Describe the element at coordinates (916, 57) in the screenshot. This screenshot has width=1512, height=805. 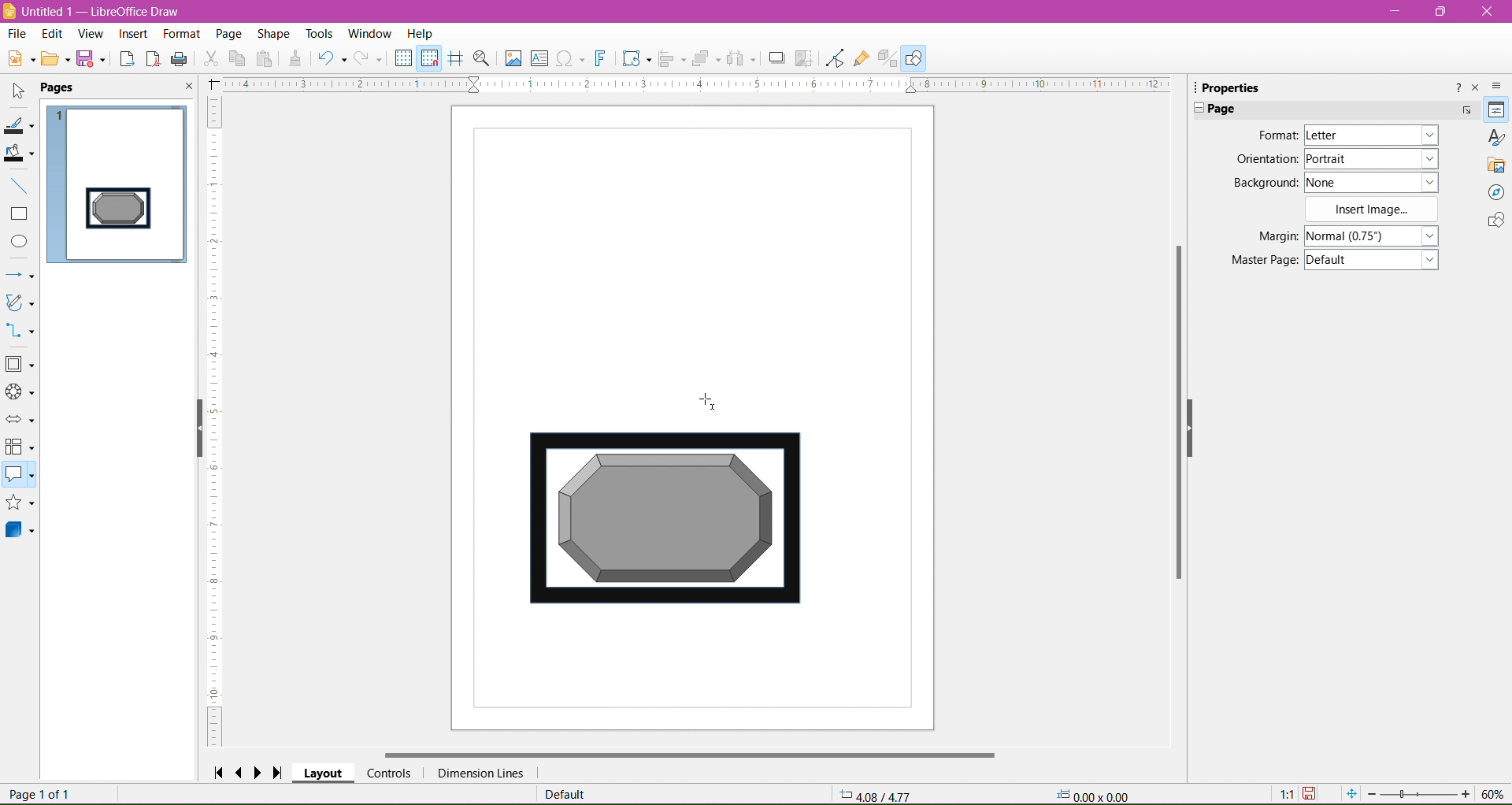
I see `Show Draw Functions` at that location.